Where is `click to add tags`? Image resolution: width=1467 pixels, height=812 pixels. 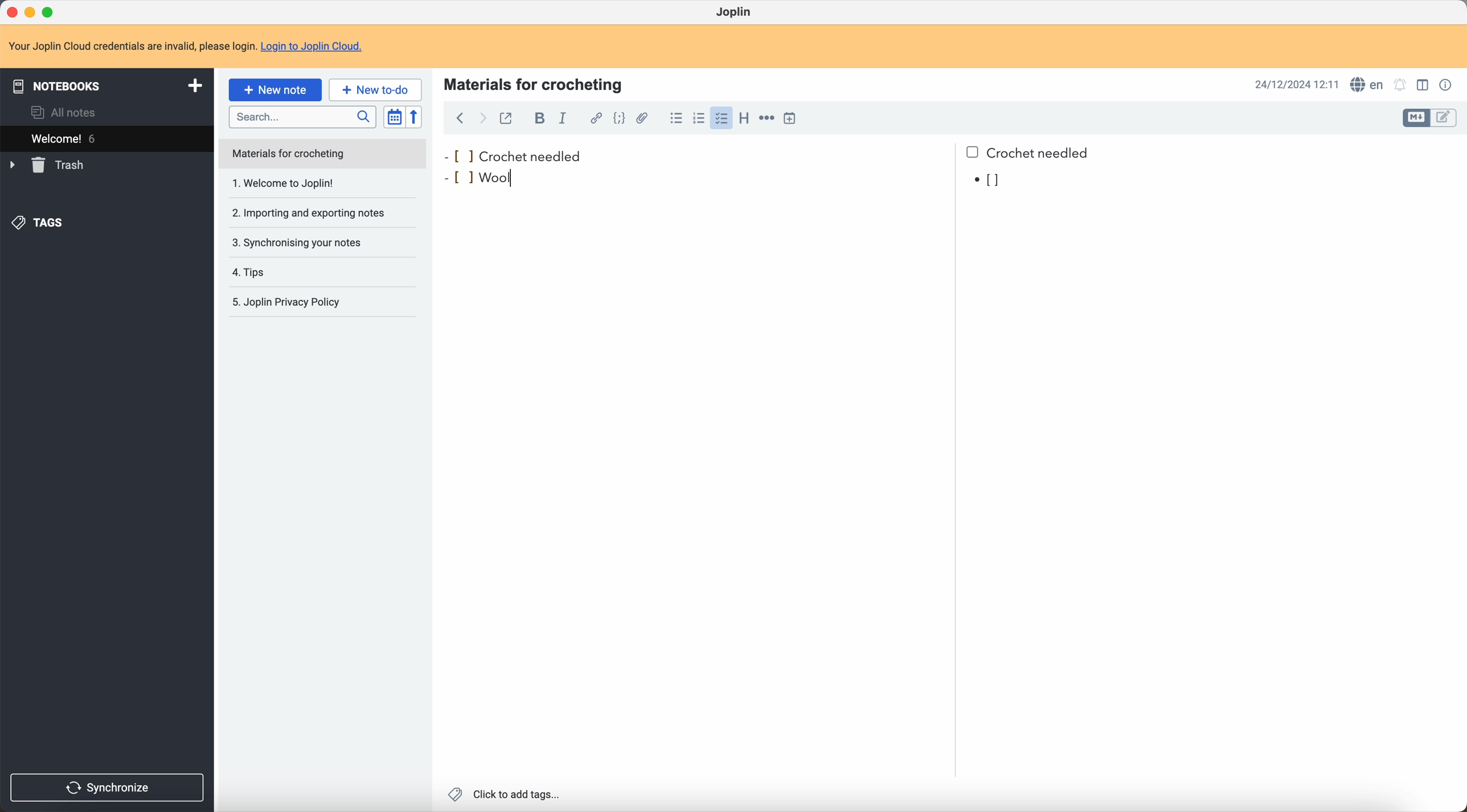 click to add tags is located at coordinates (506, 795).